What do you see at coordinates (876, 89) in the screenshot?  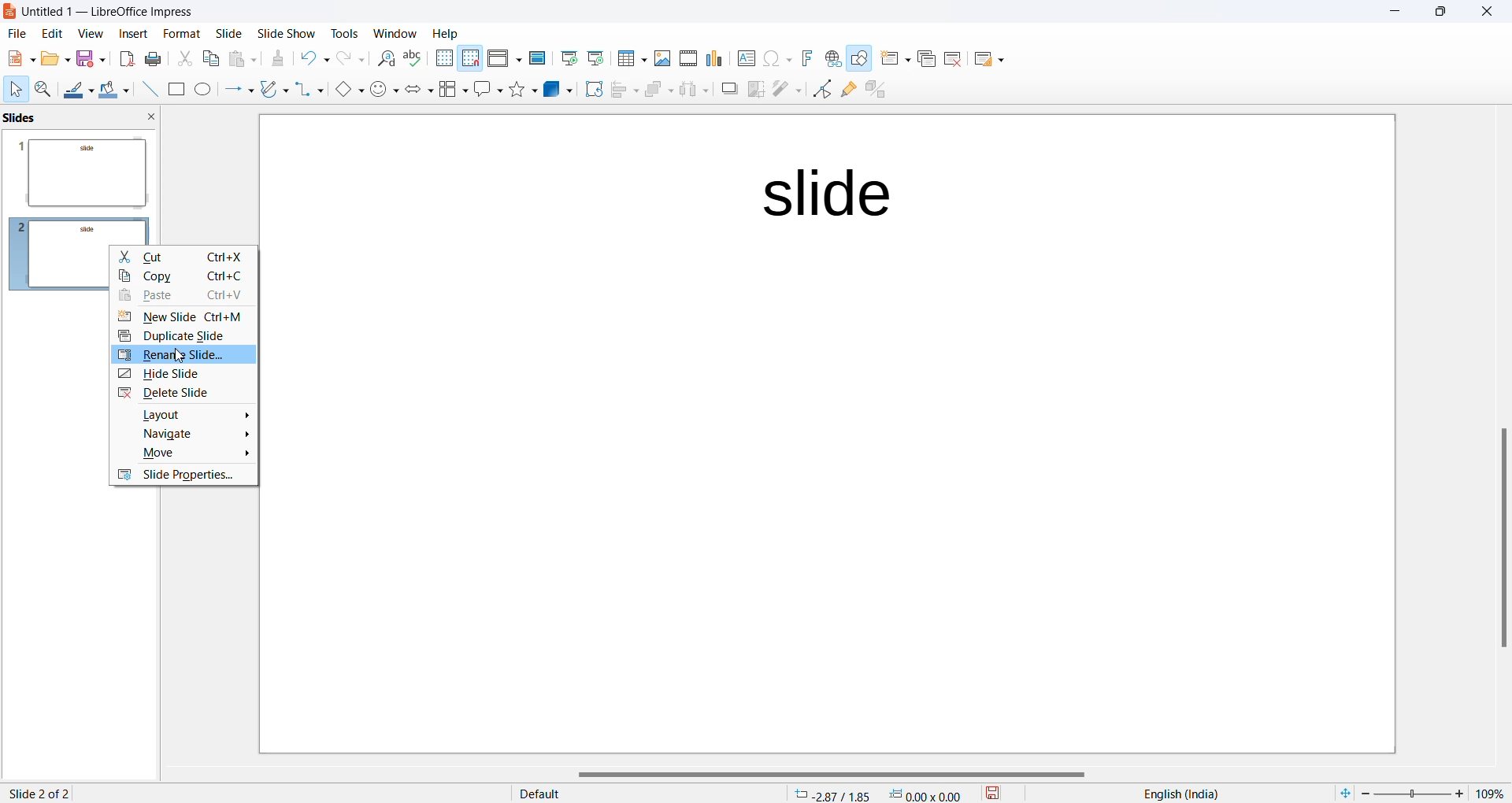 I see `toggle extrusion` at bounding box center [876, 89].